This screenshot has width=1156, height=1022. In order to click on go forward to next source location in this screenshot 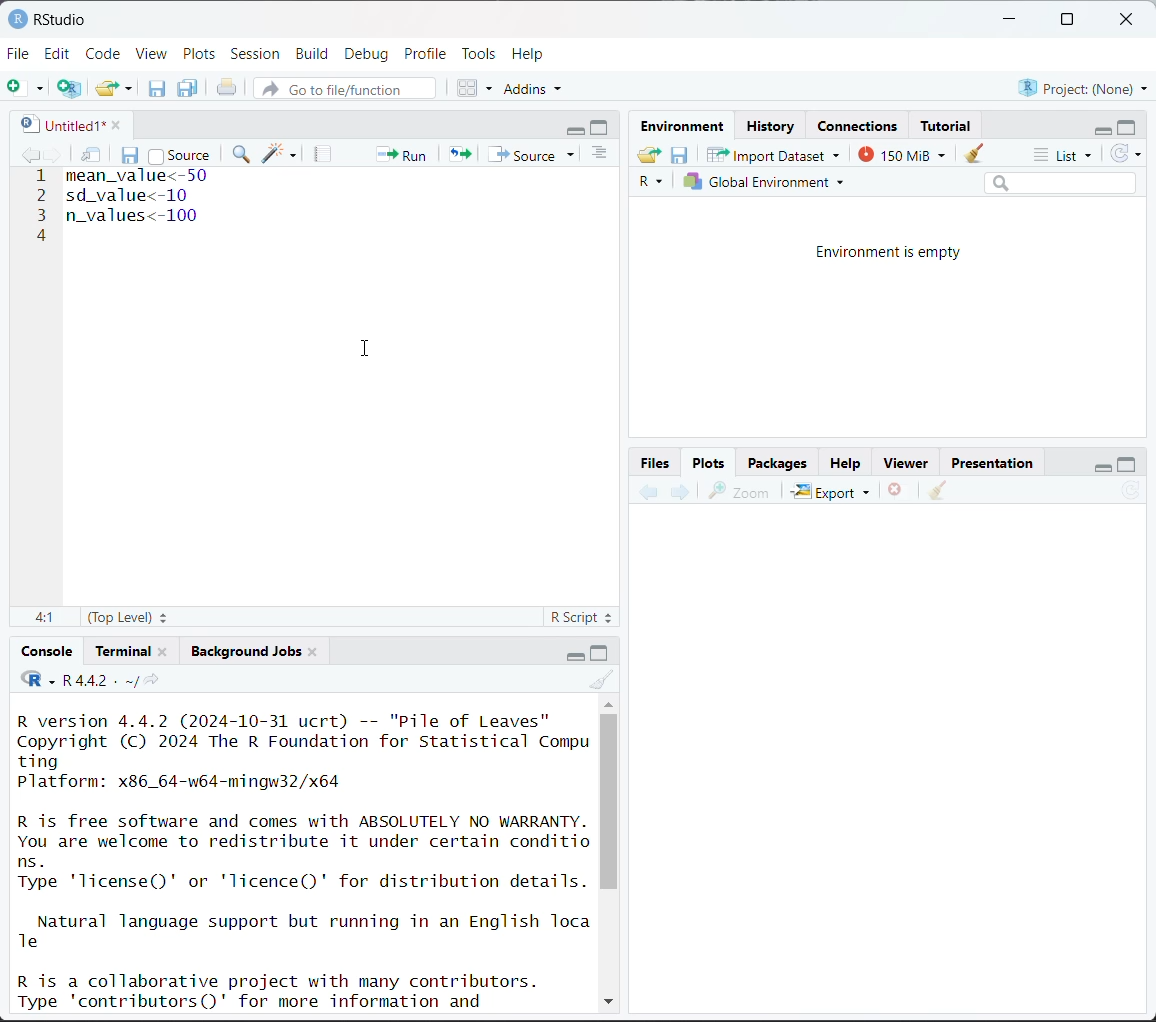, I will do `click(54, 156)`.